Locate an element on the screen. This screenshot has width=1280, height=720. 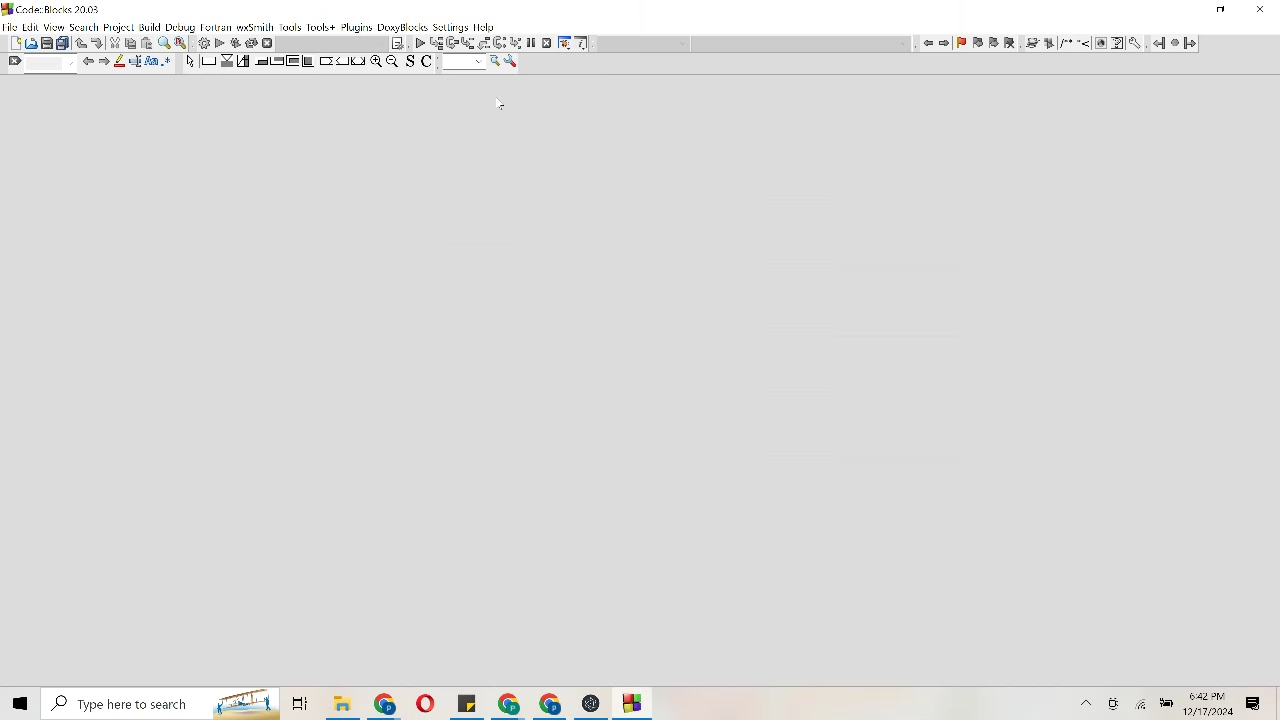
Cancel is located at coordinates (268, 43).